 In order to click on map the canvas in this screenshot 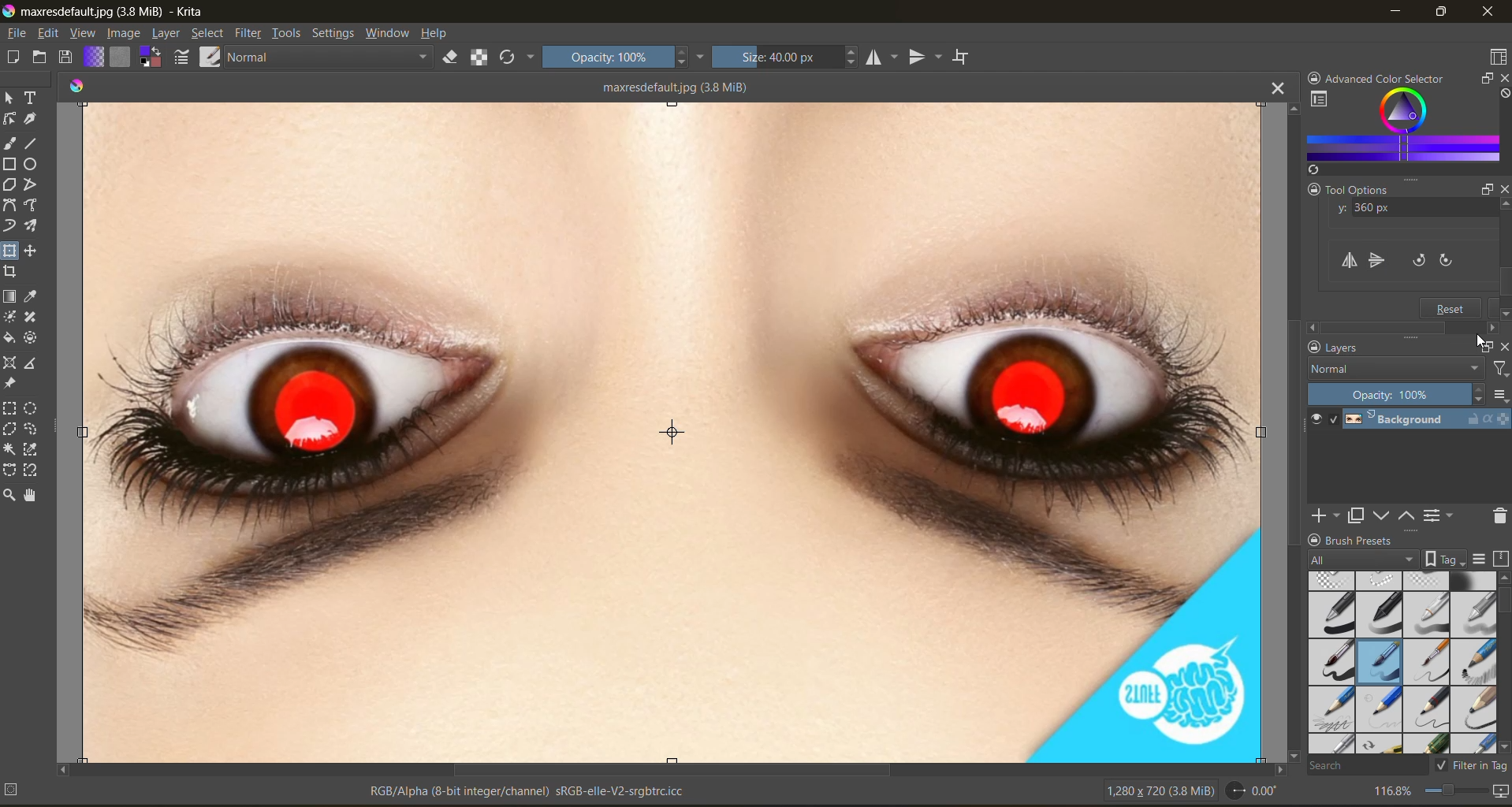, I will do `click(1502, 792)`.